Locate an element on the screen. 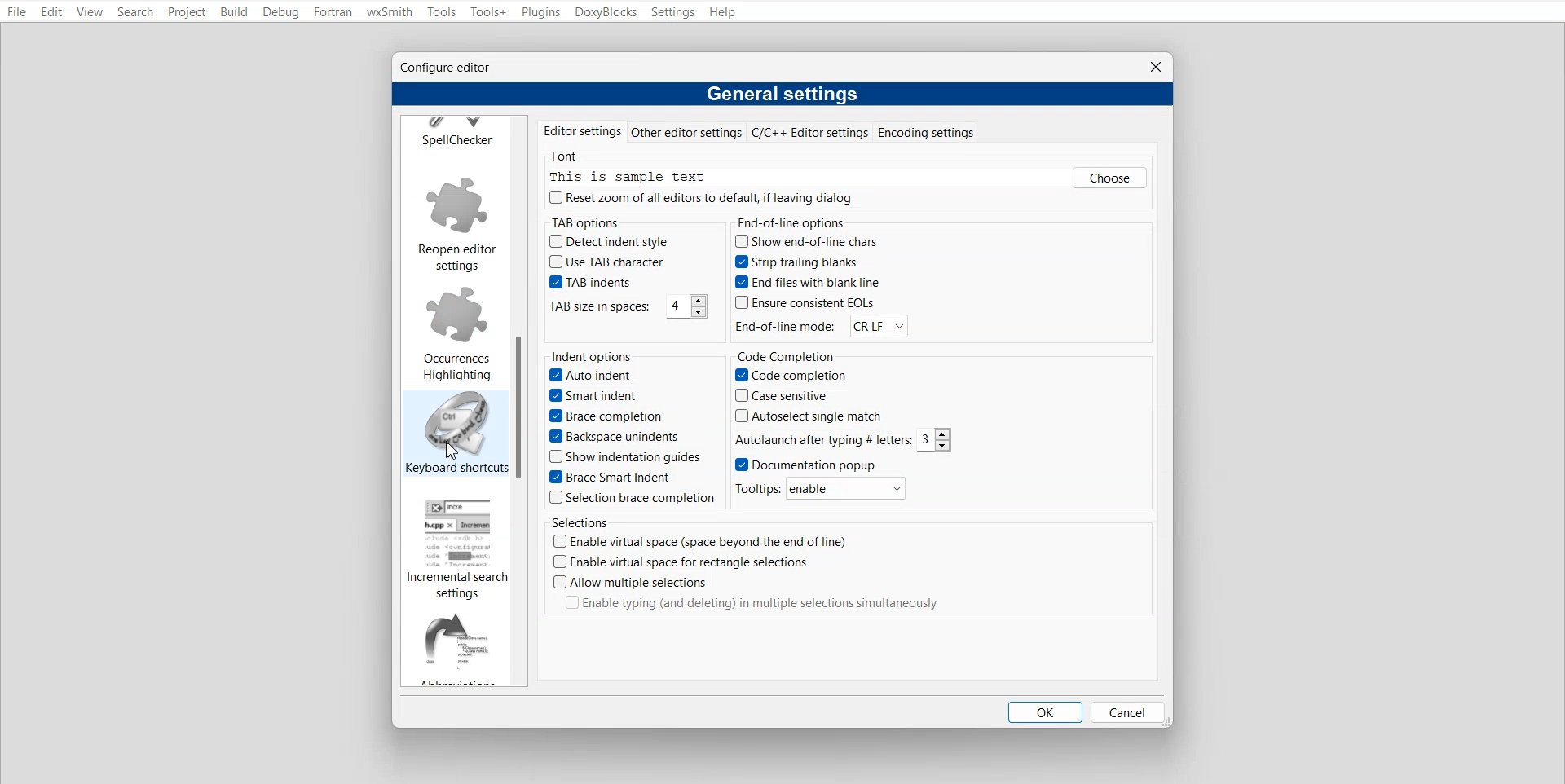 This screenshot has height=784, width=1565. View is located at coordinates (90, 11).